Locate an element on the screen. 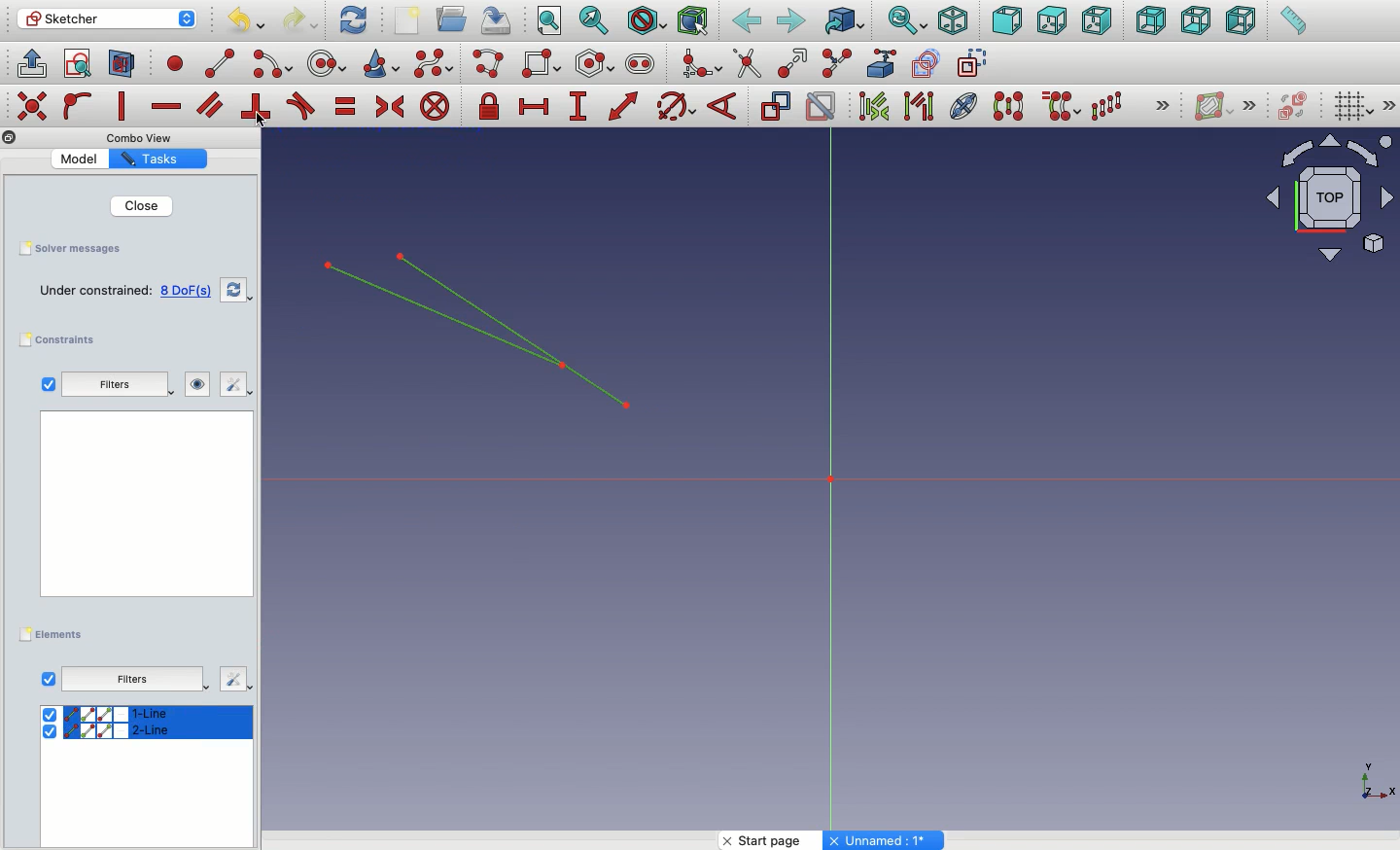 The width and height of the screenshot is (1400, 850). Slot is located at coordinates (641, 64).